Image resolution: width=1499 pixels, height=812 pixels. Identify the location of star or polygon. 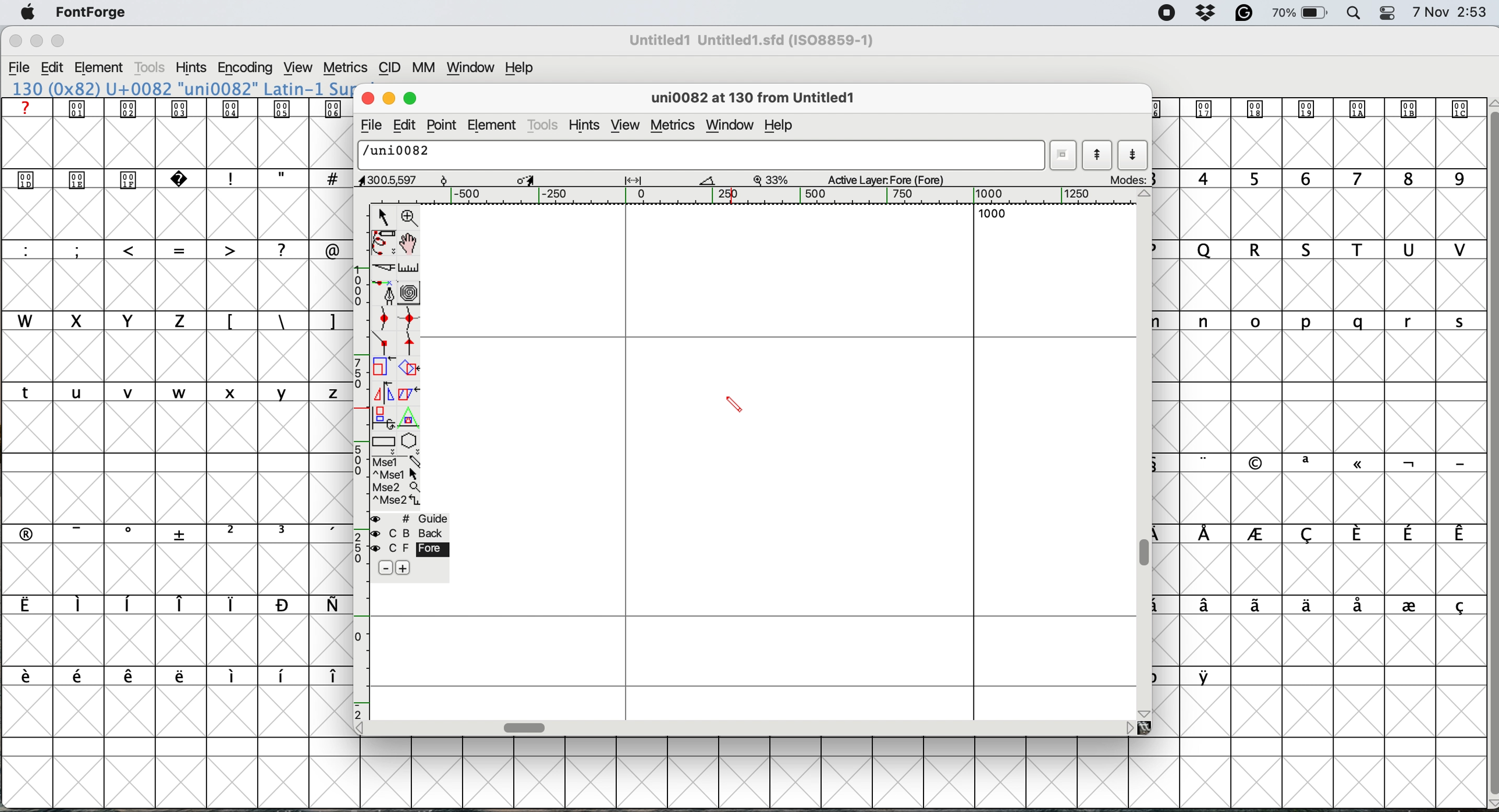
(409, 443).